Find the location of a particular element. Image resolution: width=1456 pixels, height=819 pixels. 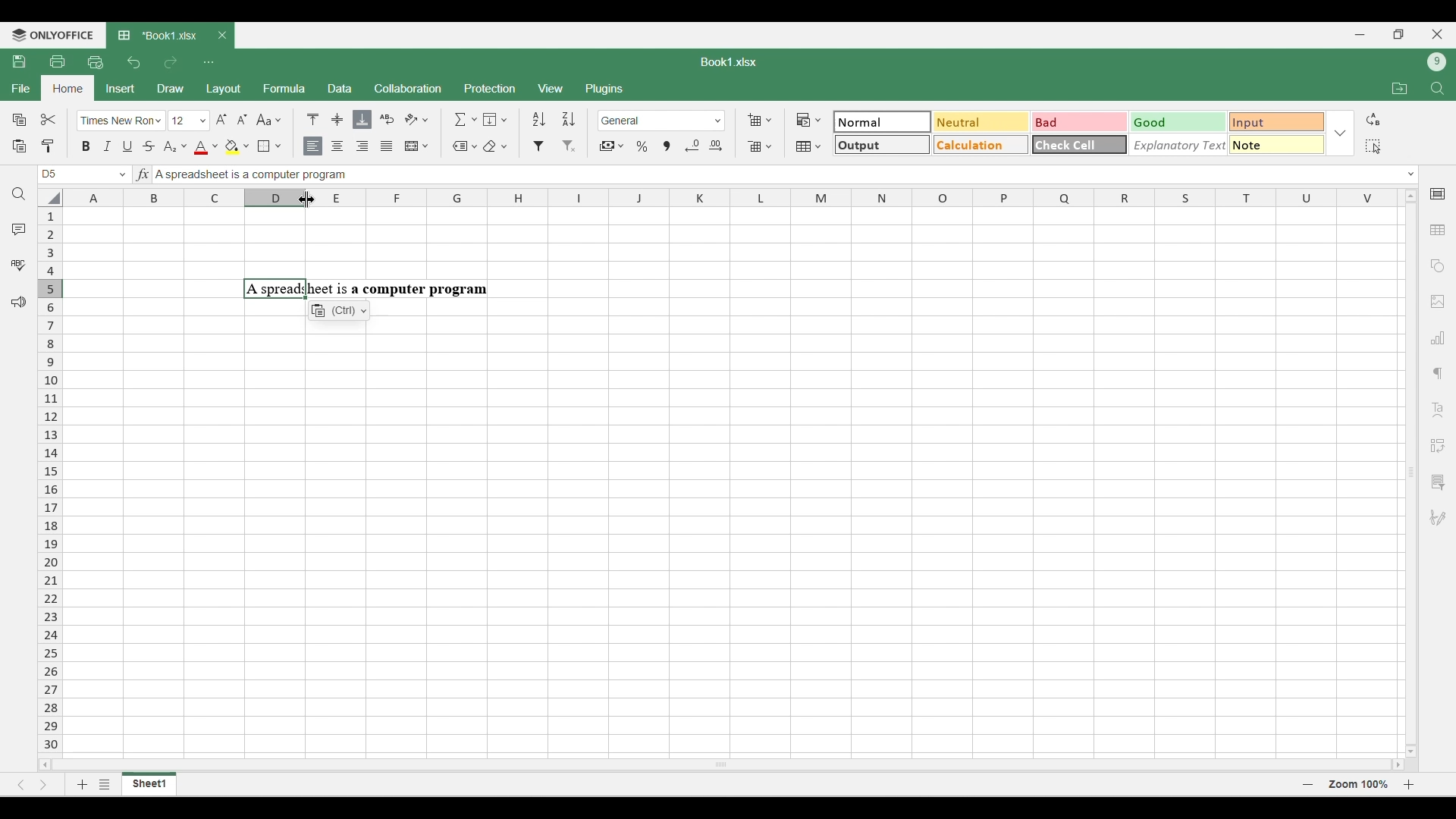

Save is located at coordinates (18, 61).